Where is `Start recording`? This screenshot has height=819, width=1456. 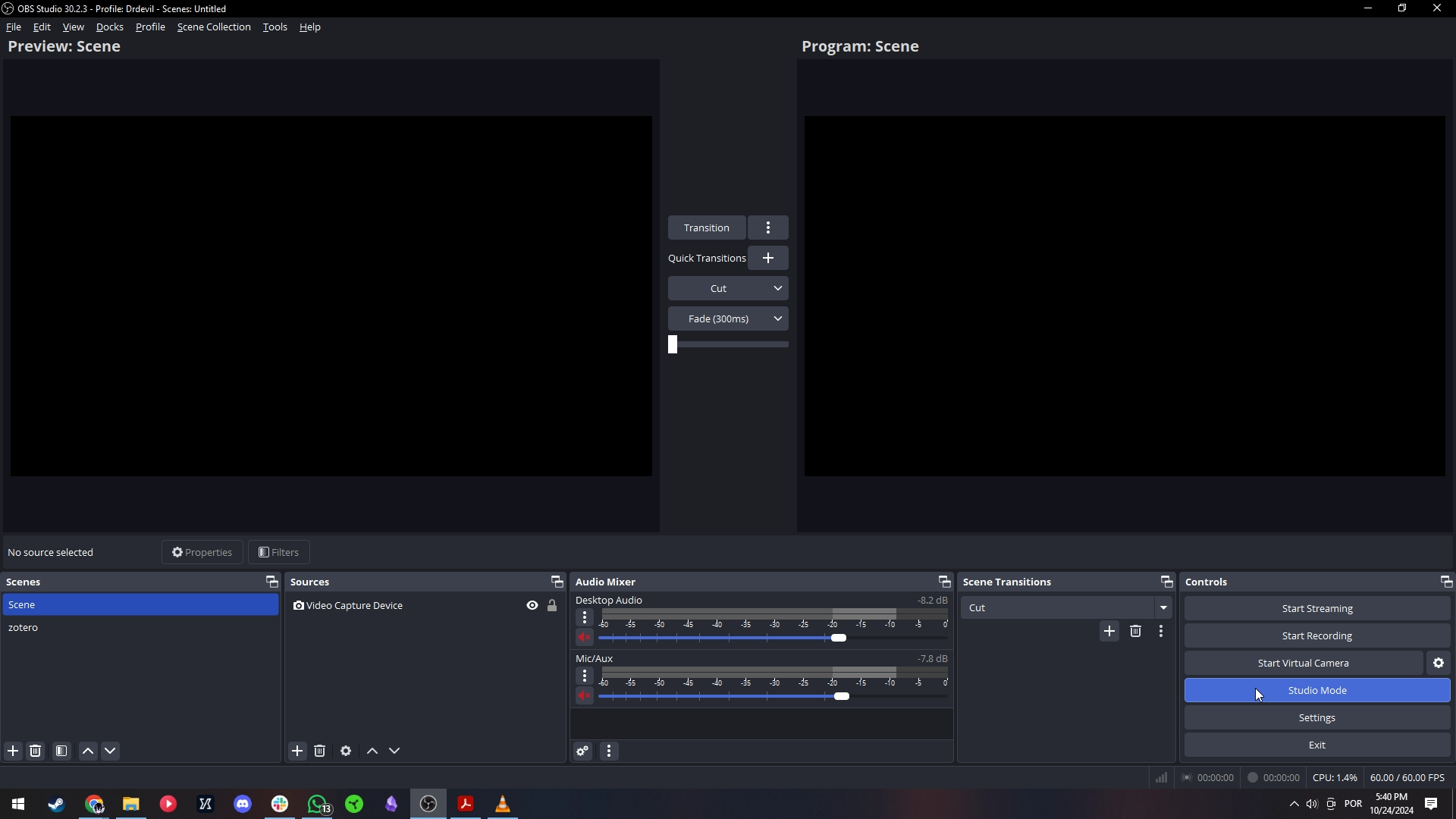 Start recording is located at coordinates (1319, 635).